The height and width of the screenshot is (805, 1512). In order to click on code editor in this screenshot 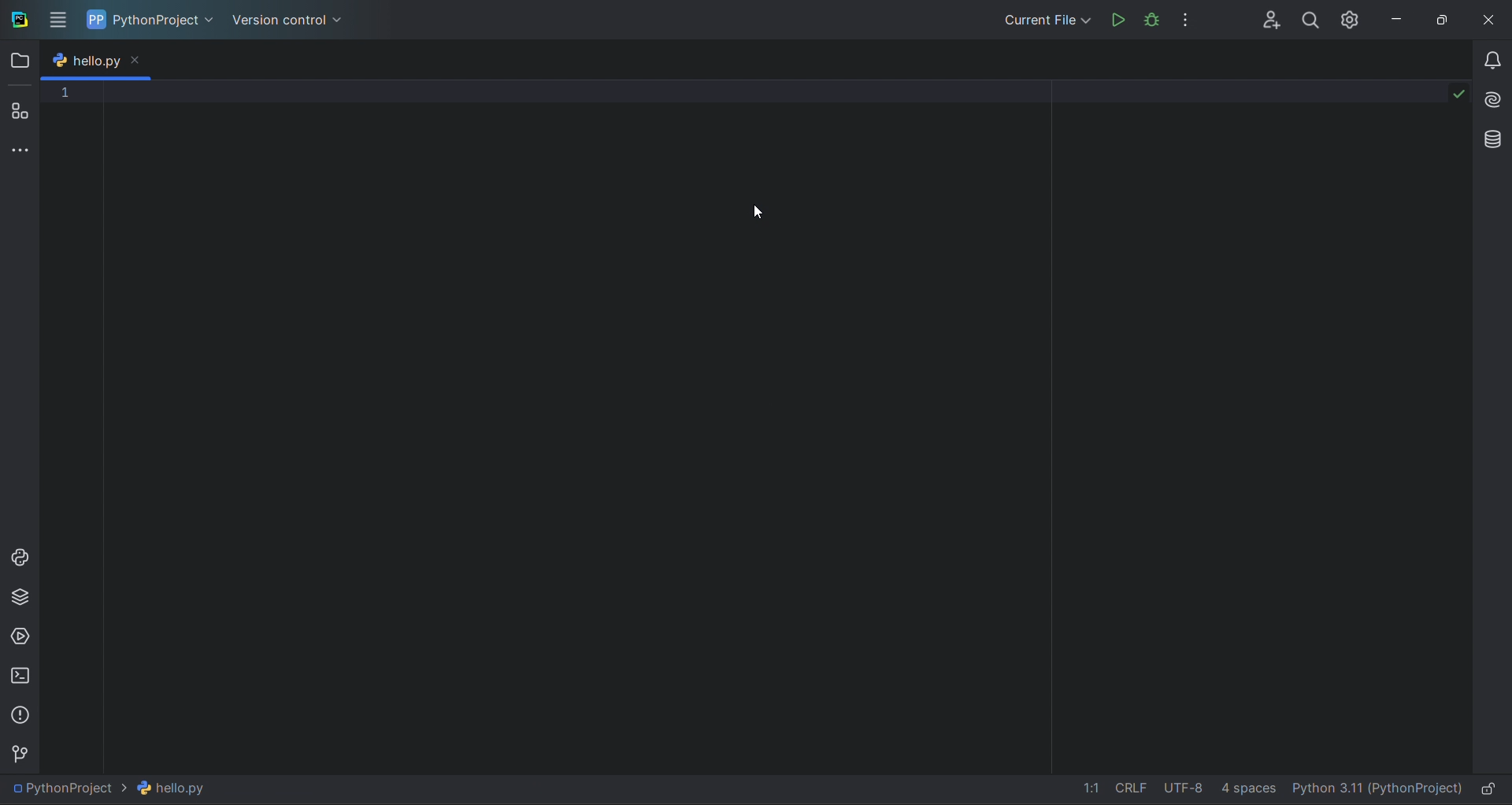, I will do `click(783, 422)`.